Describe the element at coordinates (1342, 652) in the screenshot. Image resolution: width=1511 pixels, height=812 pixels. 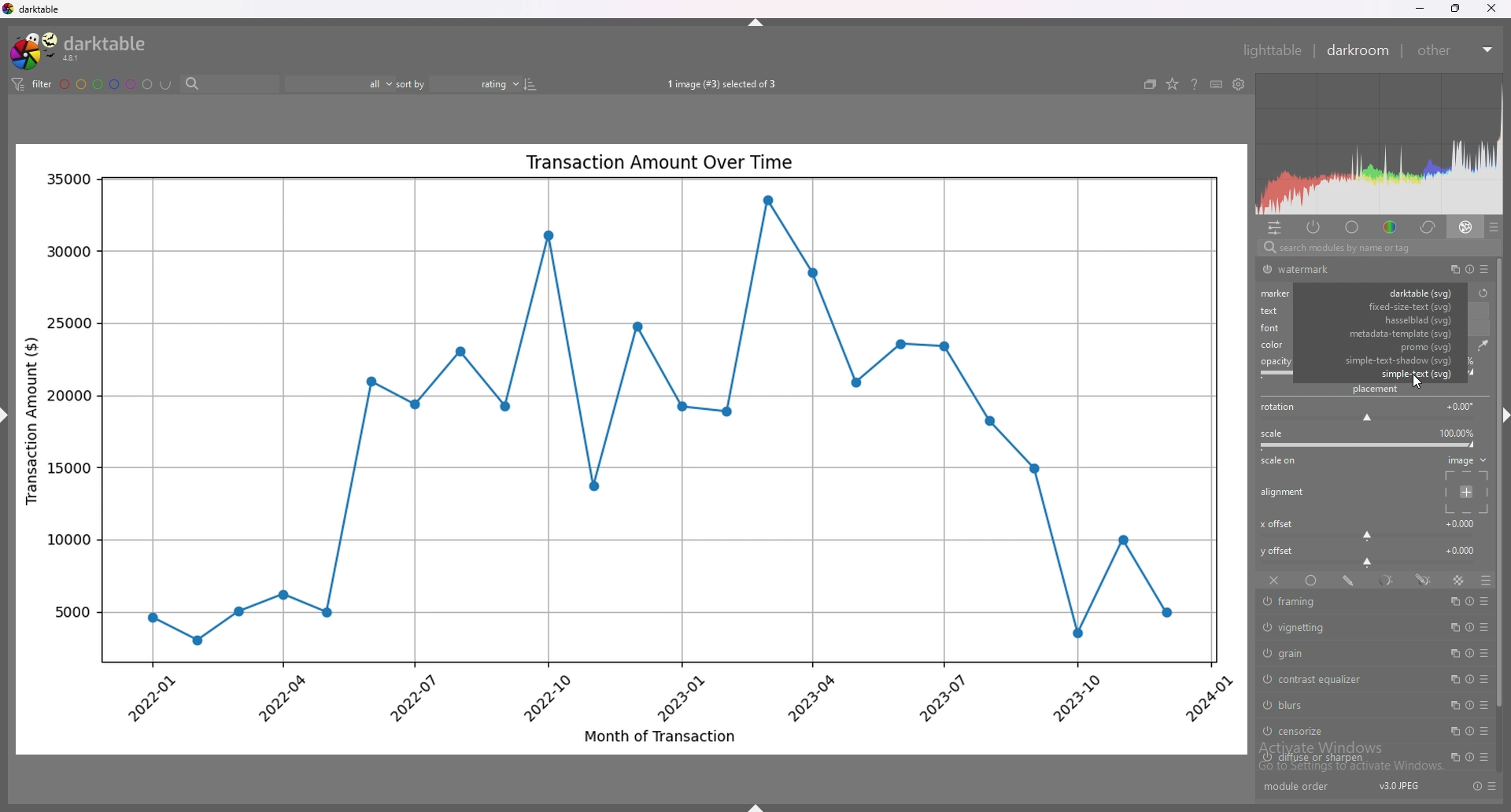
I see `grain` at that location.